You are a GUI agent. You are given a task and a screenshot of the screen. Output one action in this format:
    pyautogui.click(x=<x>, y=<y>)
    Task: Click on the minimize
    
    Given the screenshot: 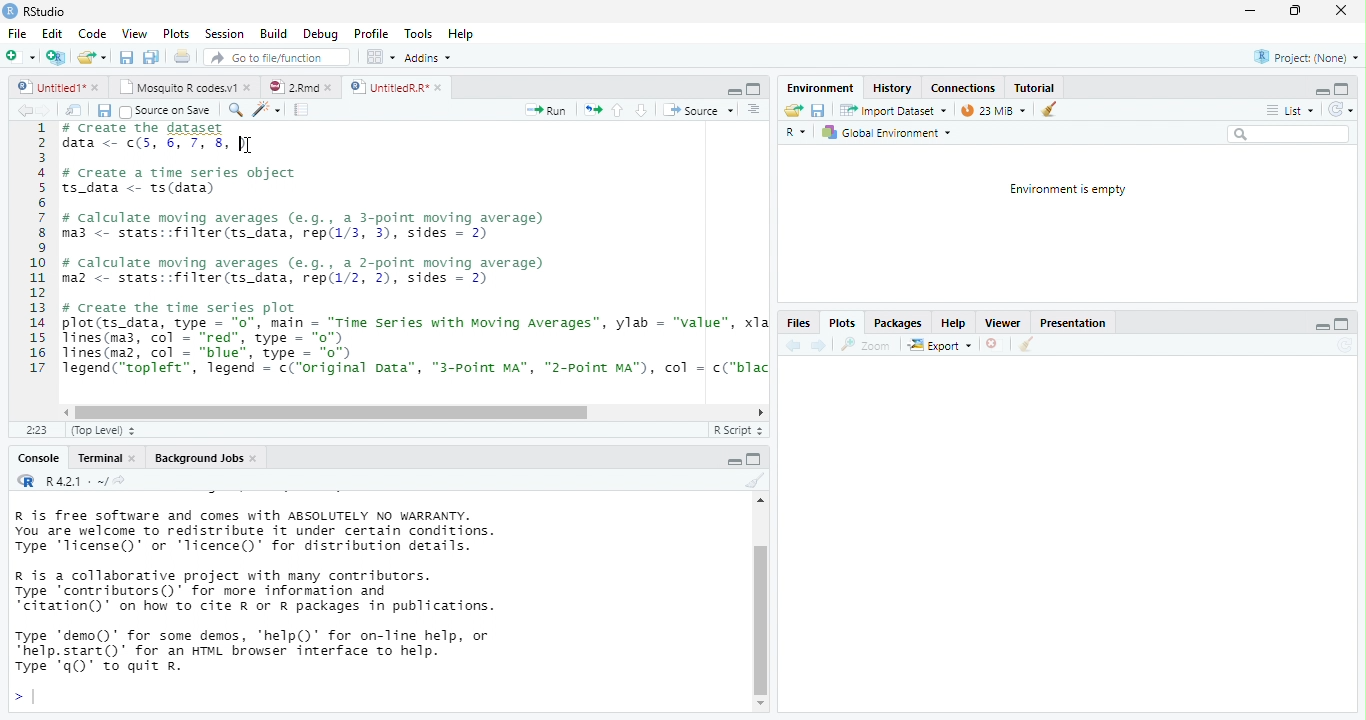 What is the action you would take?
    pyautogui.click(x=754, y=458)
    